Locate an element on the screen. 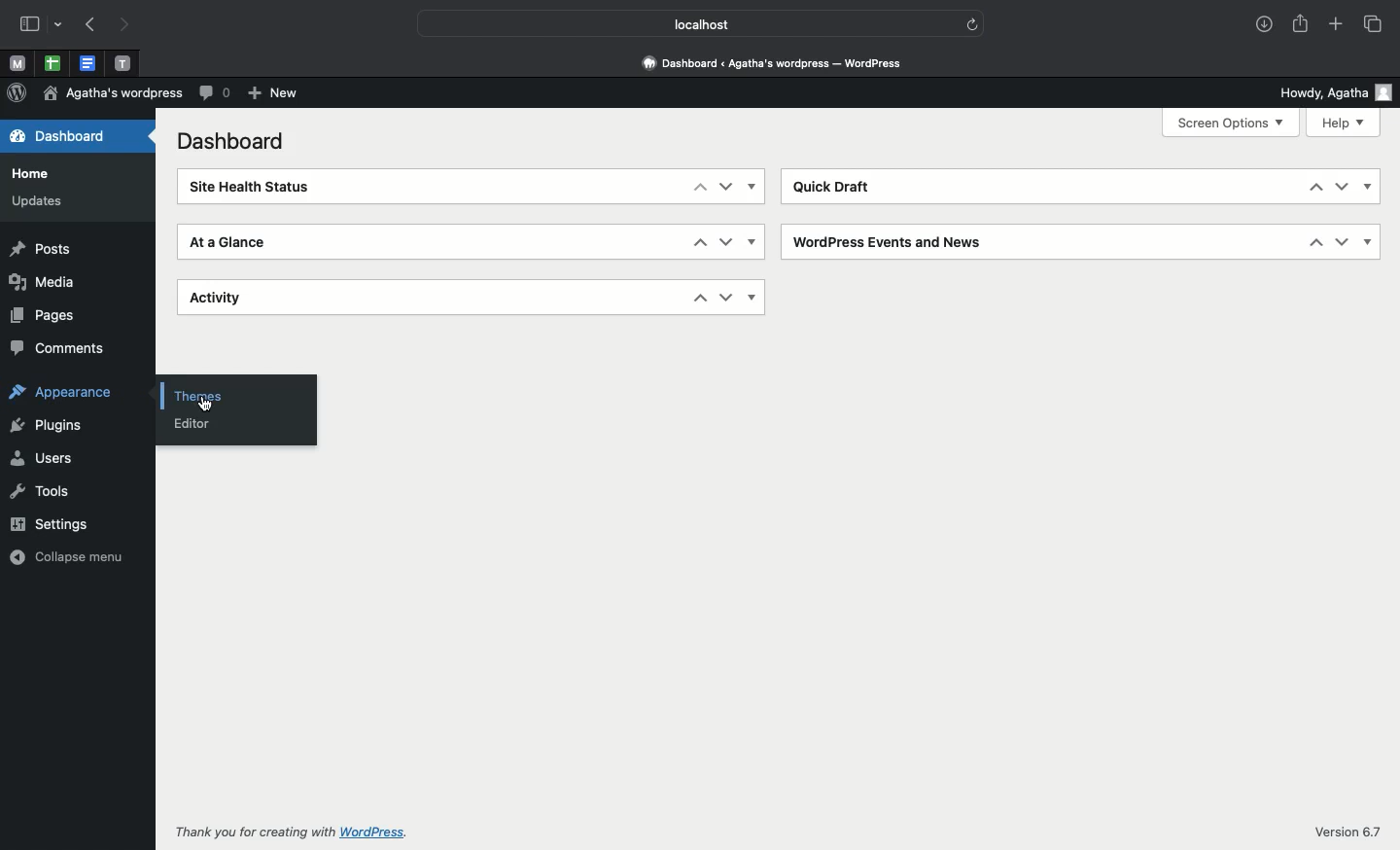 The height and width of the screenshot is (850, 1400). Downloads is located at coordinates (1266, 26).